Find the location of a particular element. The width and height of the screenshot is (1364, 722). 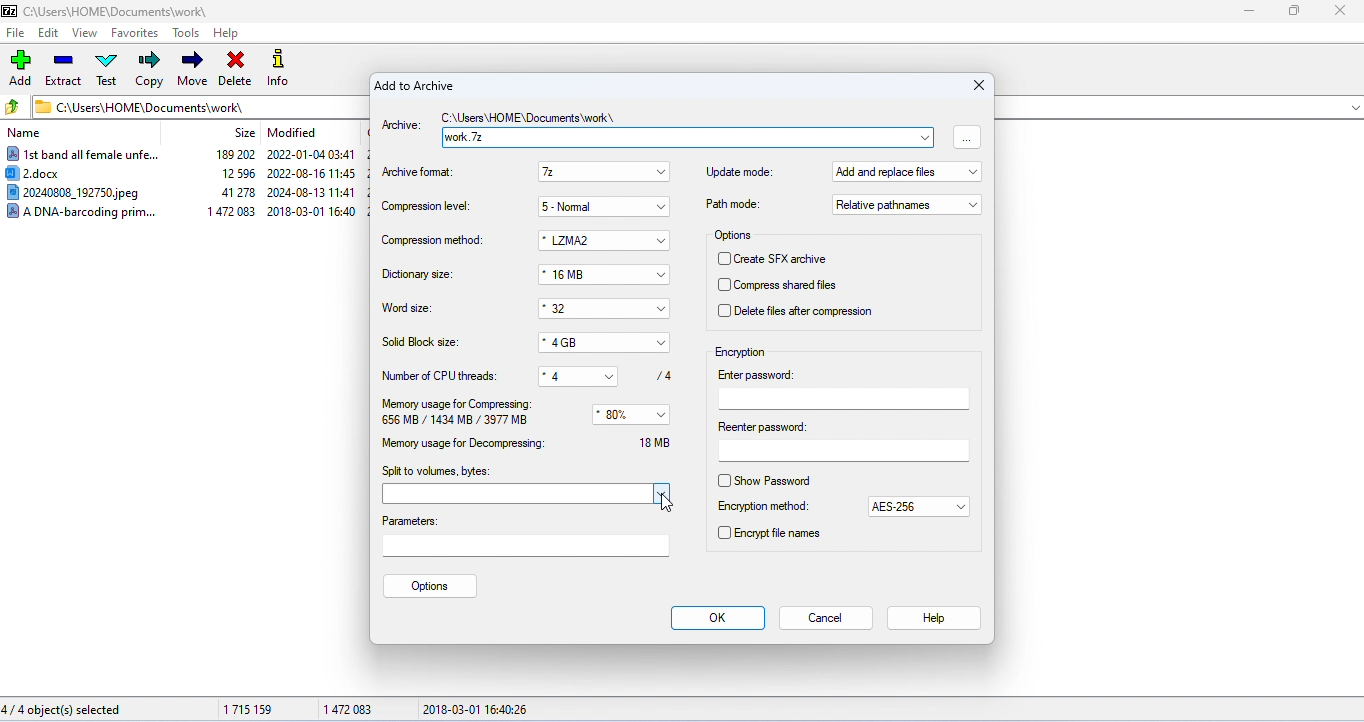

encrypt file names is located at coordinates (779, 534).